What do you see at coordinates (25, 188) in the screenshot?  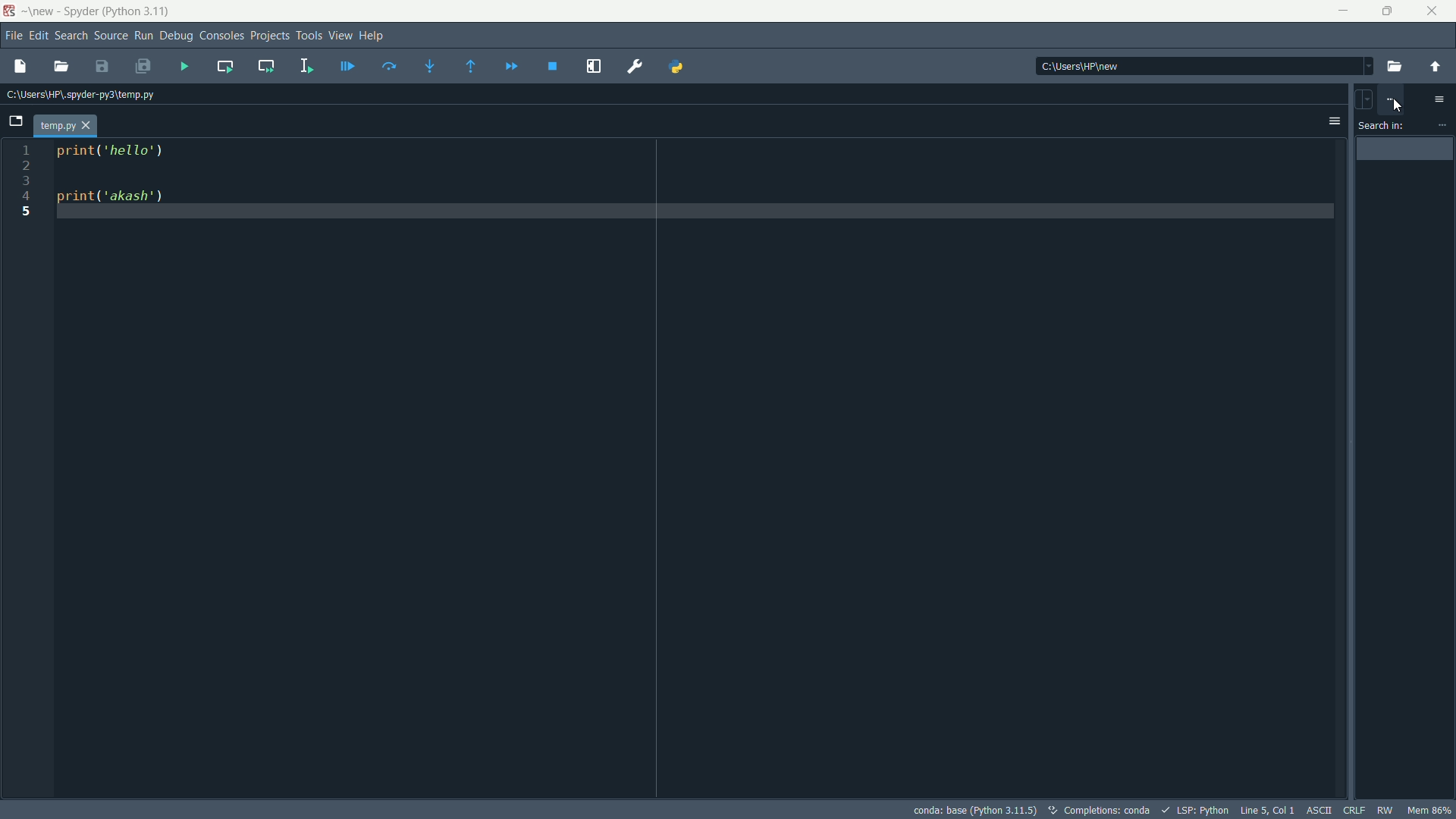 I see `1 2 3 4 5` at bounding box center [25, 188].